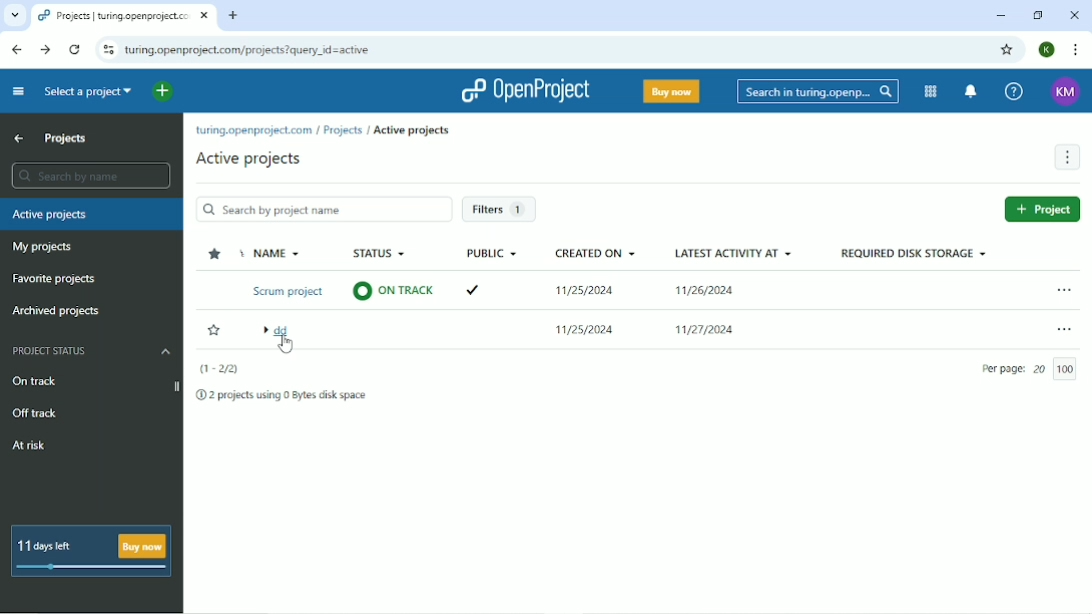 The height and width of the screenshot is (614, 1092). What do you see at coordinates (392, 290) in the screenshot?
I see `on track` at bounding box center [392, 290].